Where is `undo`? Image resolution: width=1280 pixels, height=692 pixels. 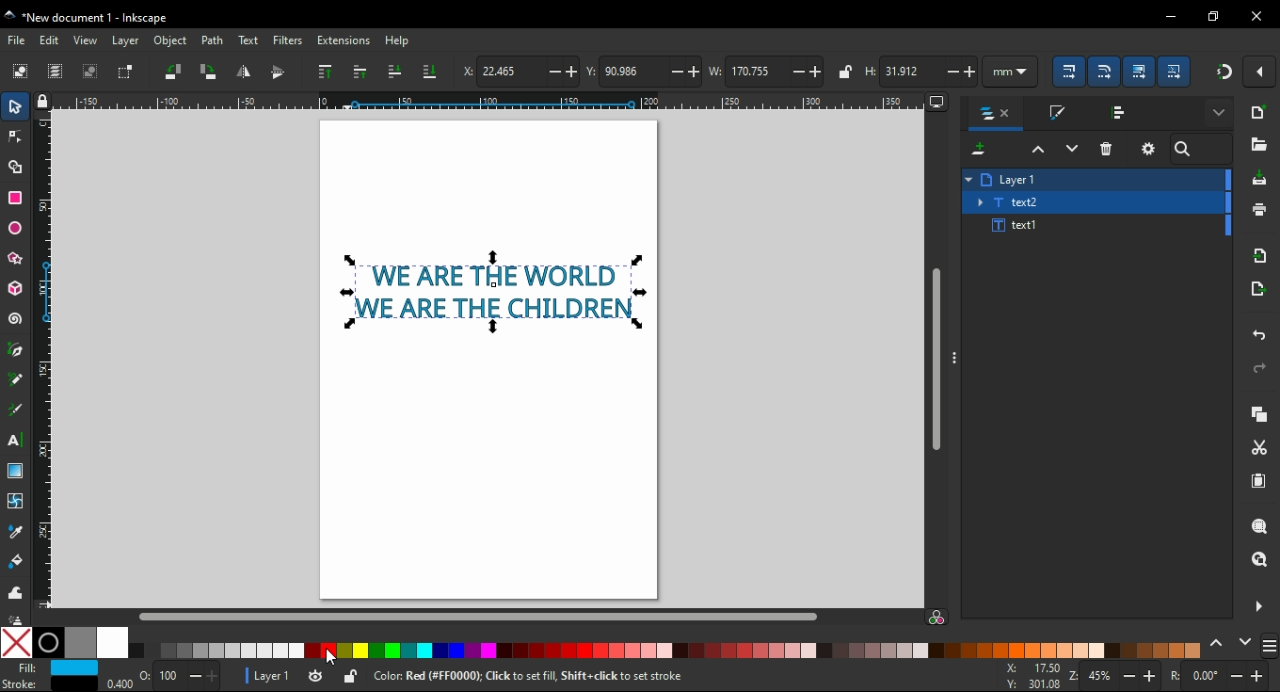 undo is located at coordinates (1258, 335).